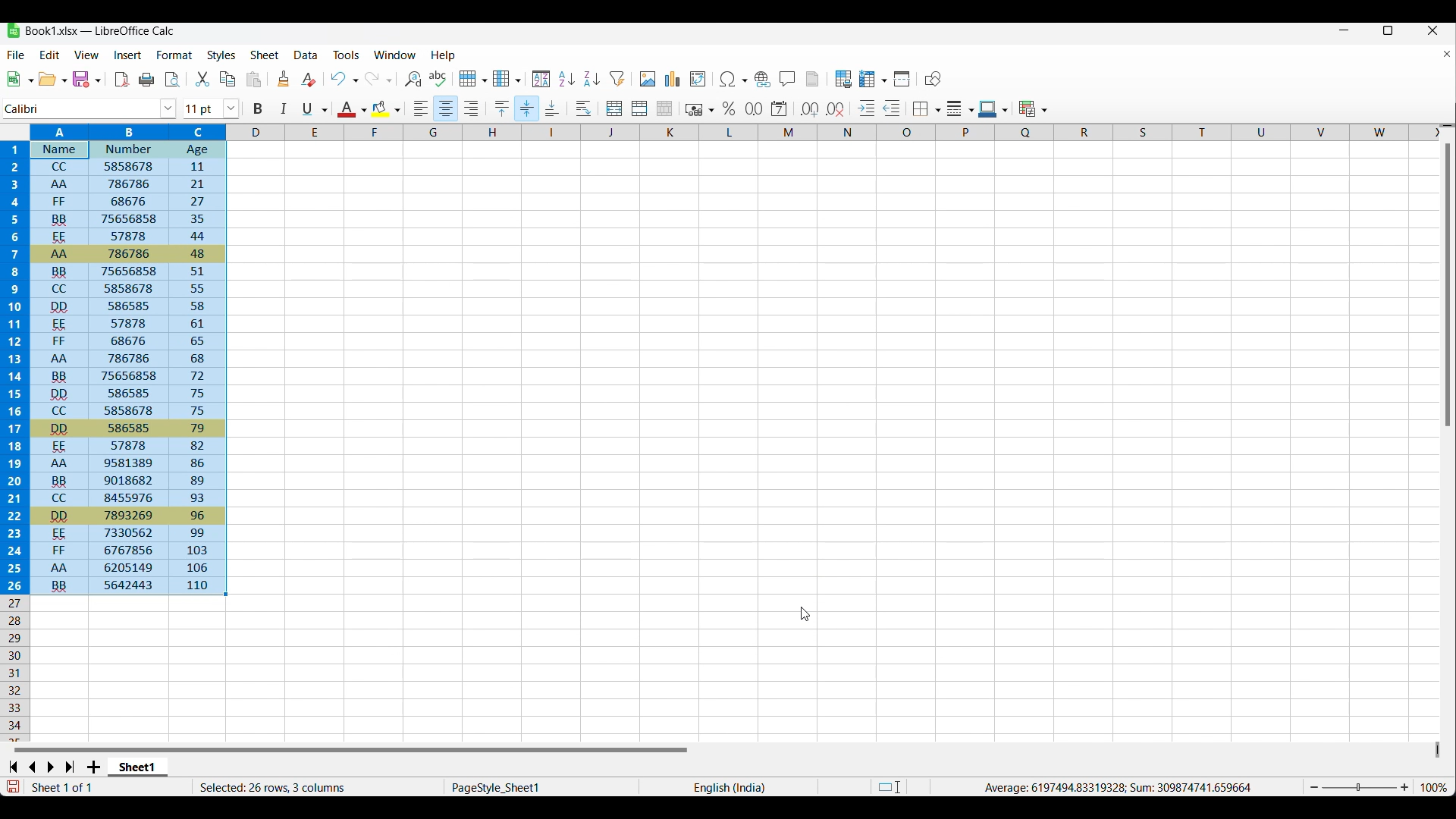  What do you see at coordinates (395, 55) in the screenshot?
I see `Window menu` at bounding box center [395, 55].